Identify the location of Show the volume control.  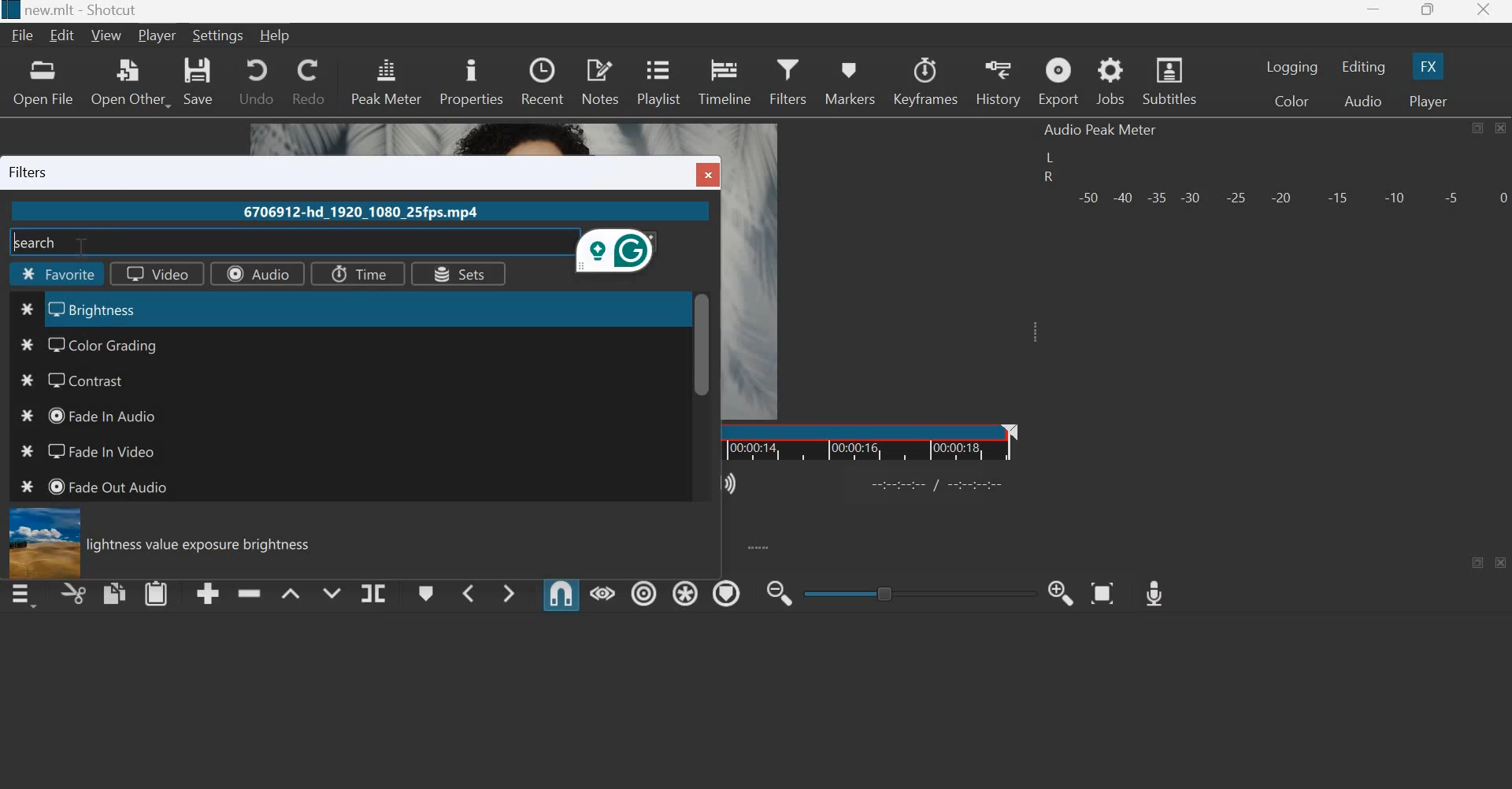
(732, 481).